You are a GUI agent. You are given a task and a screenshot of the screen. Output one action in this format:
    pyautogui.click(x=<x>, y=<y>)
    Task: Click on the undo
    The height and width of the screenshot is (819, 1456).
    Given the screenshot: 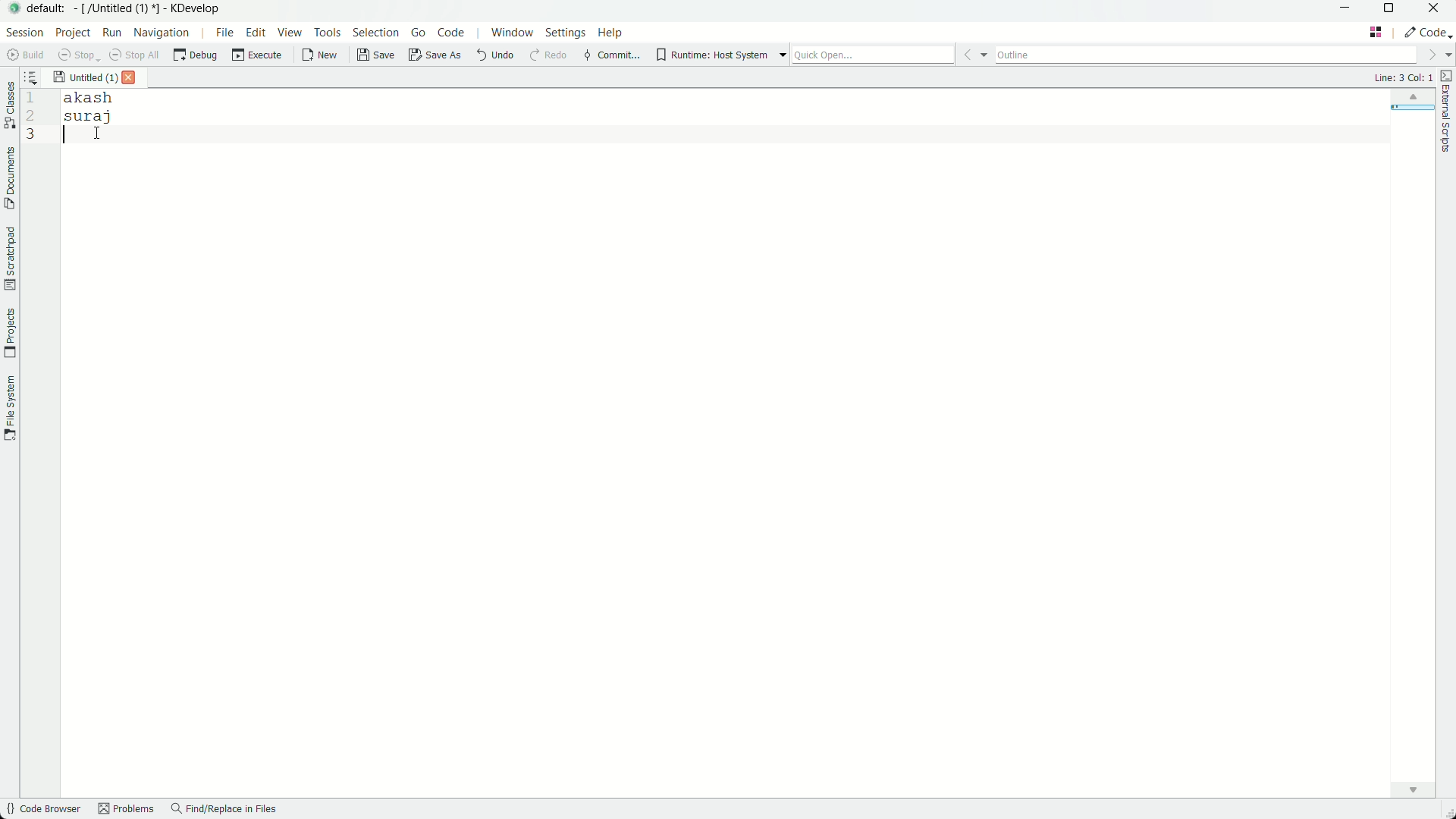 What is the action you would take?
    pyautogui.click(x=492, y=56)
    